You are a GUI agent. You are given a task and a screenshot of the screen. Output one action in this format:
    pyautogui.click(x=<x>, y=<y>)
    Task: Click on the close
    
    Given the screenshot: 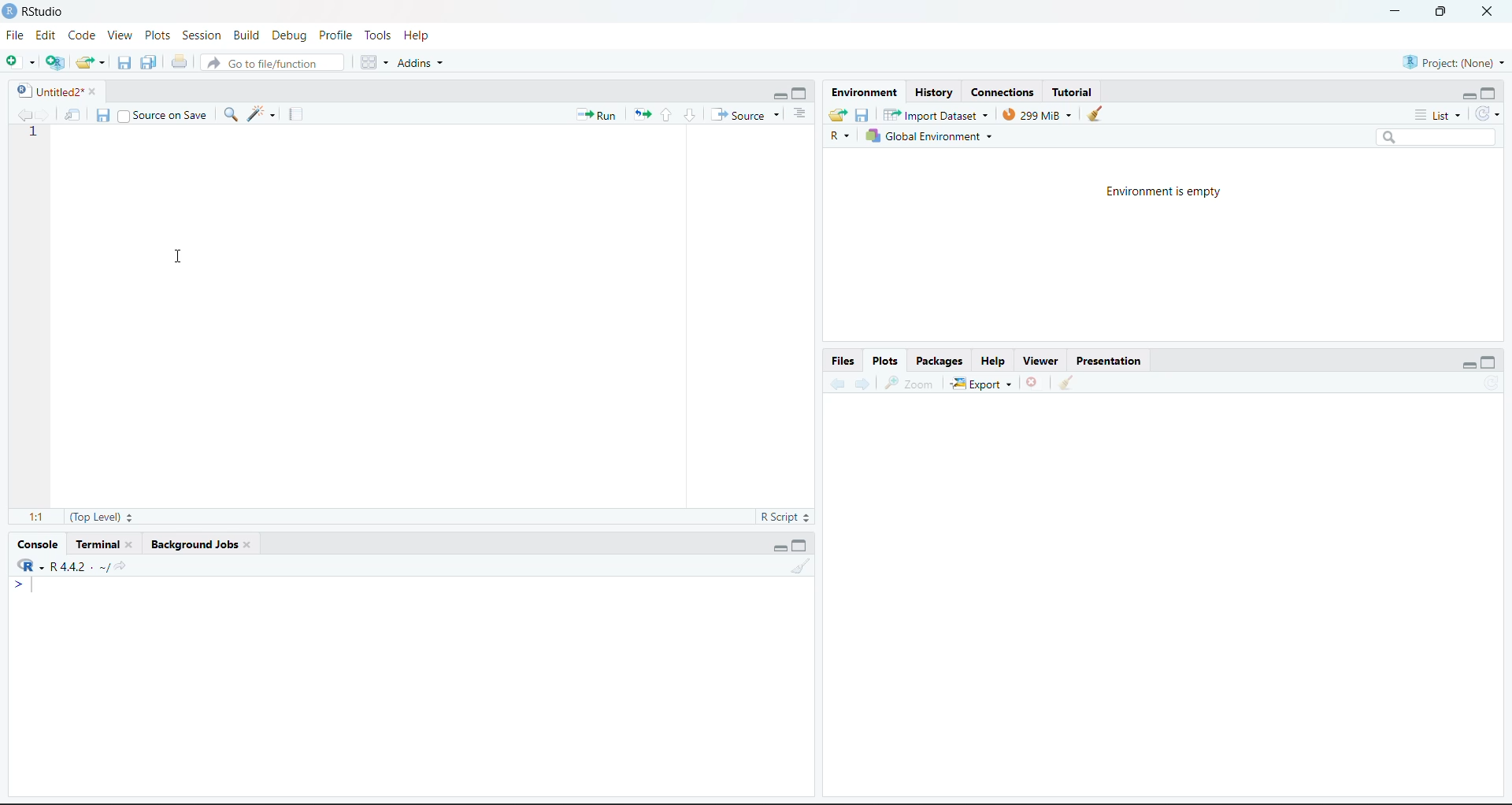 What is the action you would take?
    pyautogui.click(x=1488, y=11)
    